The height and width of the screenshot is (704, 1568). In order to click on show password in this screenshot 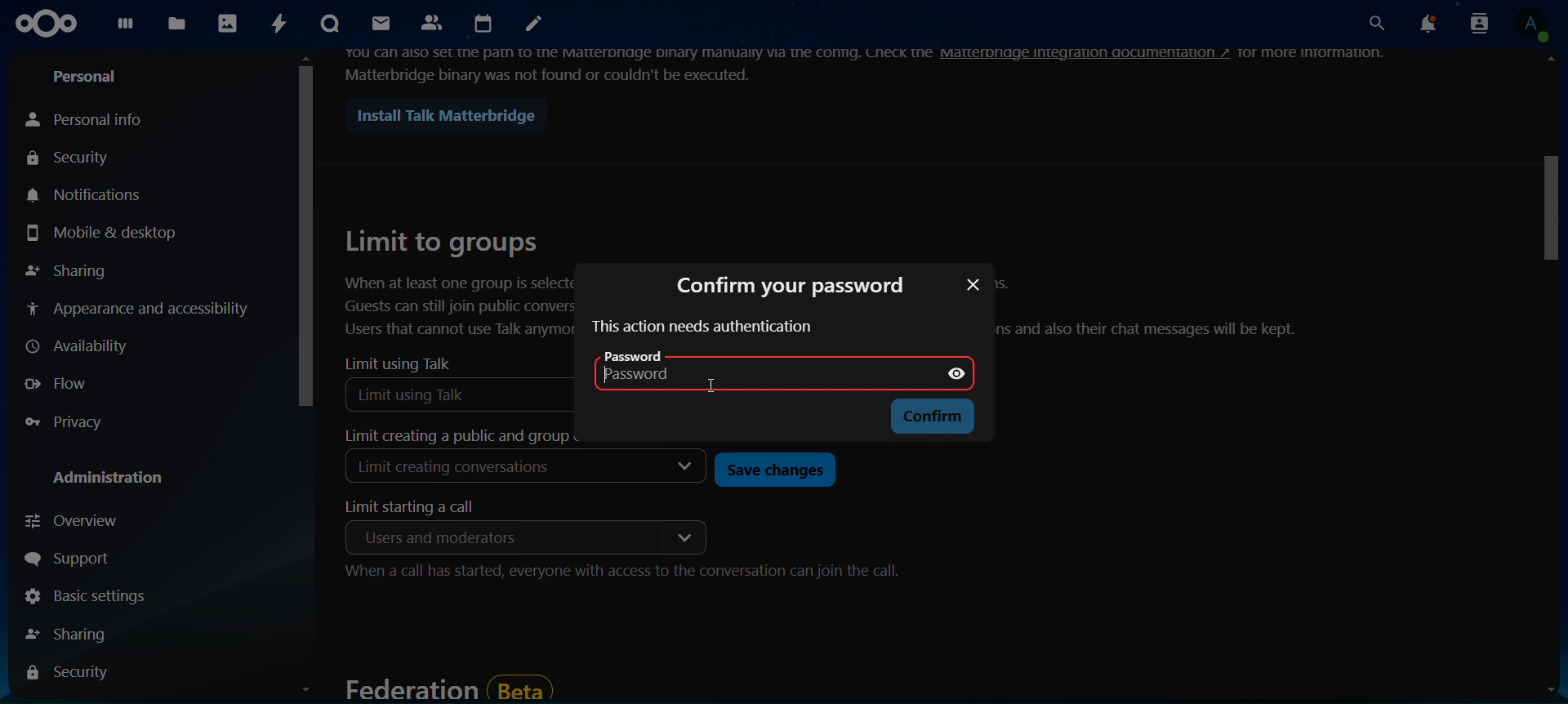, I will do `click(959, 371)`.